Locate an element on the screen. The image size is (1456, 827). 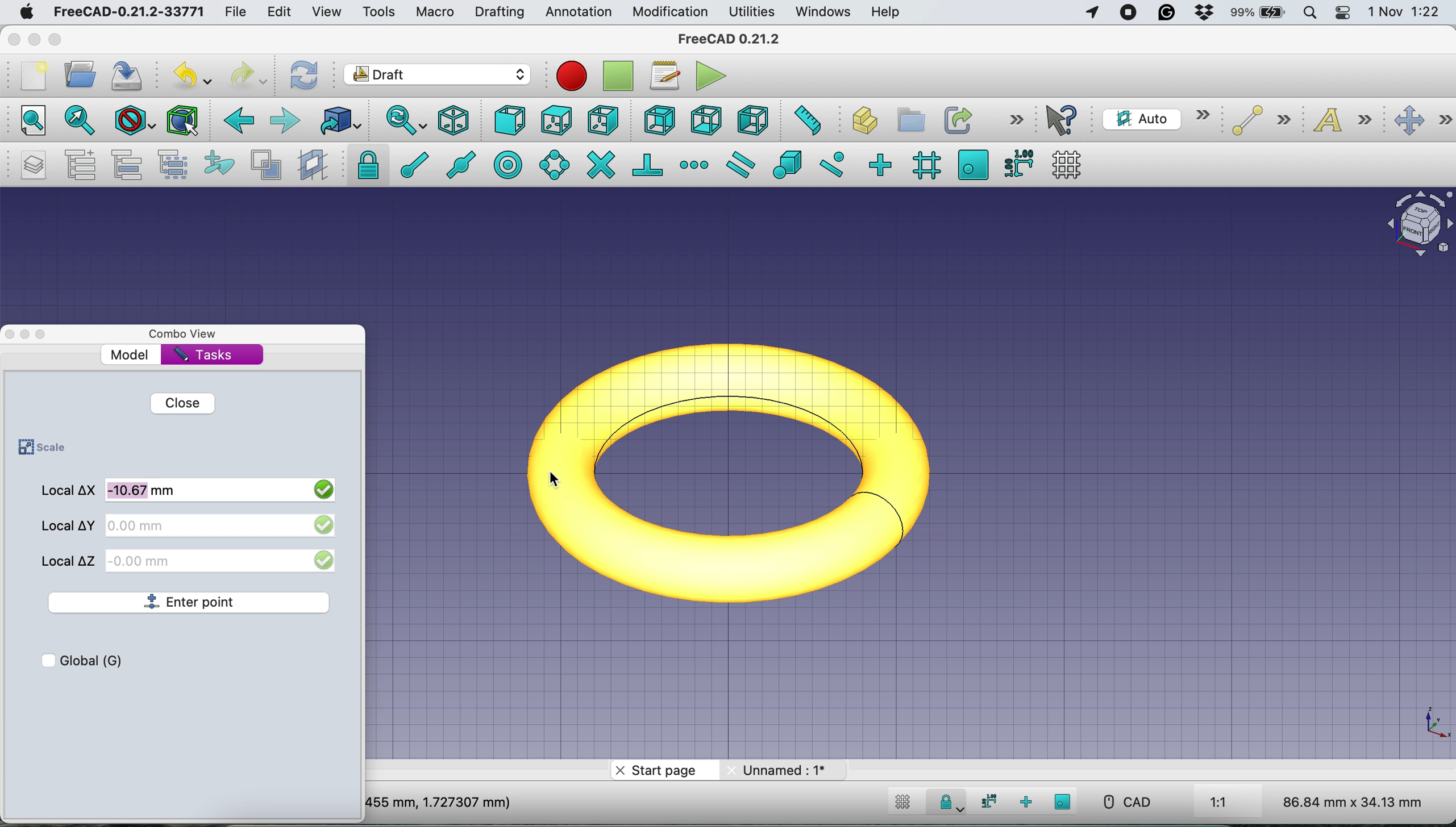
model is located at coordinates (131, 354).